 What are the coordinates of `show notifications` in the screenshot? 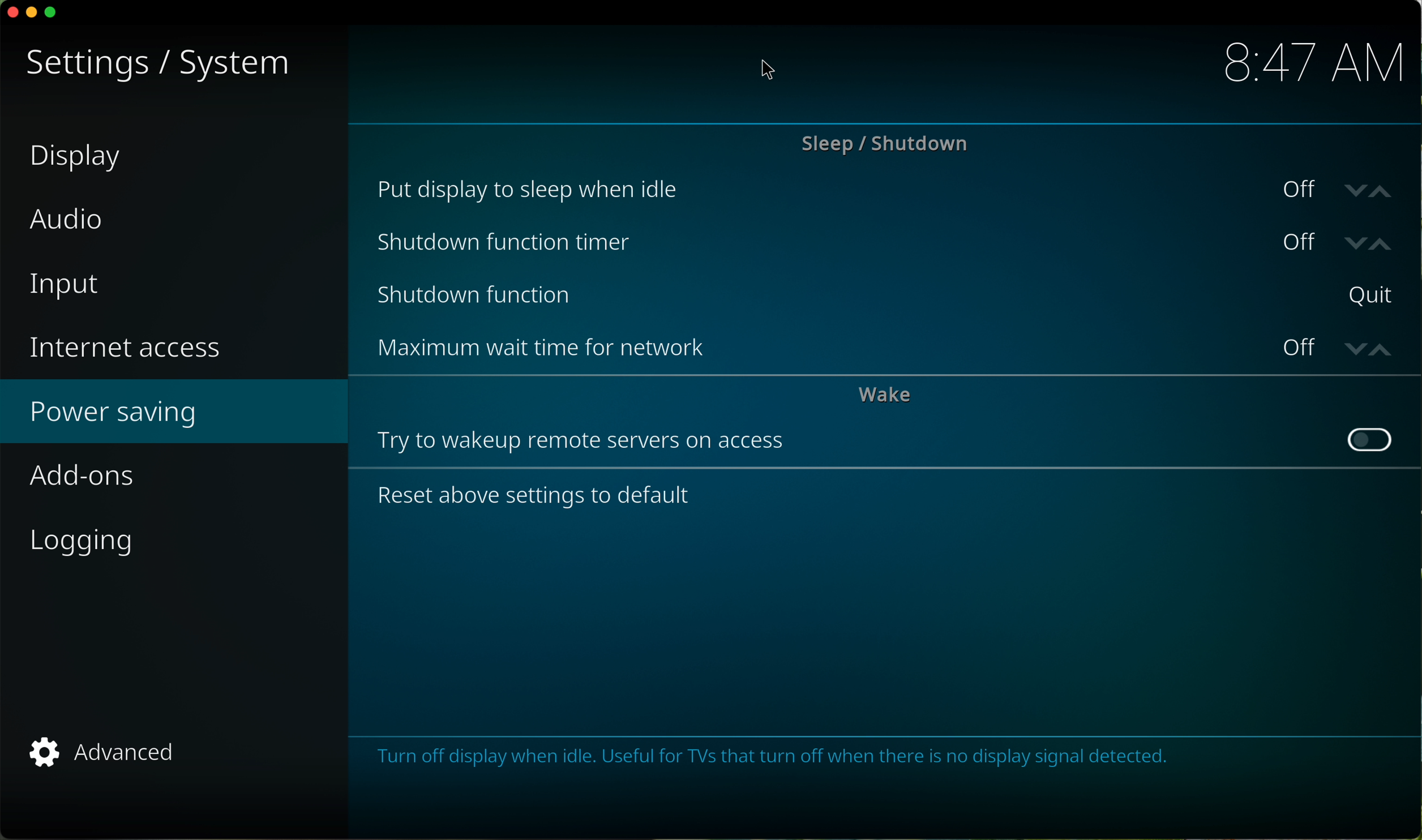 It's located at (889, 243).